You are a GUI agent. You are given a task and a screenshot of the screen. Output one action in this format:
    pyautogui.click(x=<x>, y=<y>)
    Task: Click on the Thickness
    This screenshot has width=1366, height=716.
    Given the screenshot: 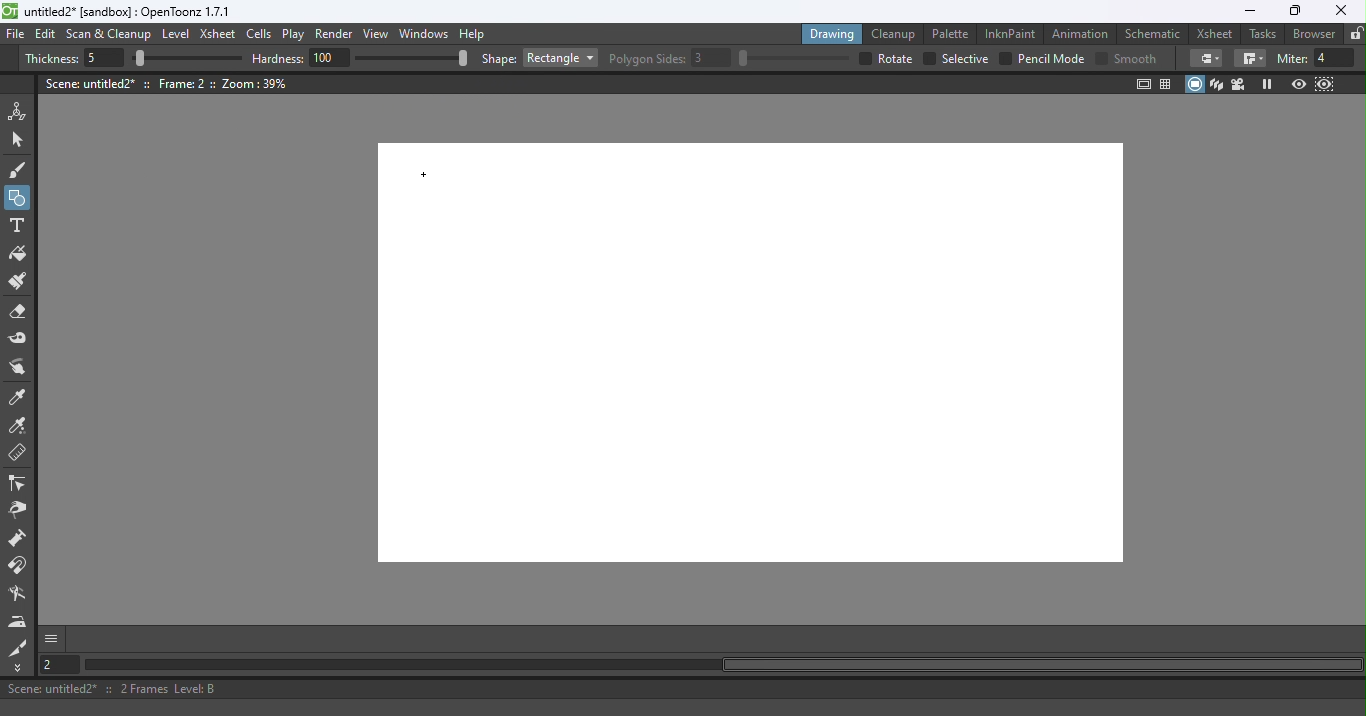 What is the action you would take?
    pyautogui.click(x=51, y=59)
    